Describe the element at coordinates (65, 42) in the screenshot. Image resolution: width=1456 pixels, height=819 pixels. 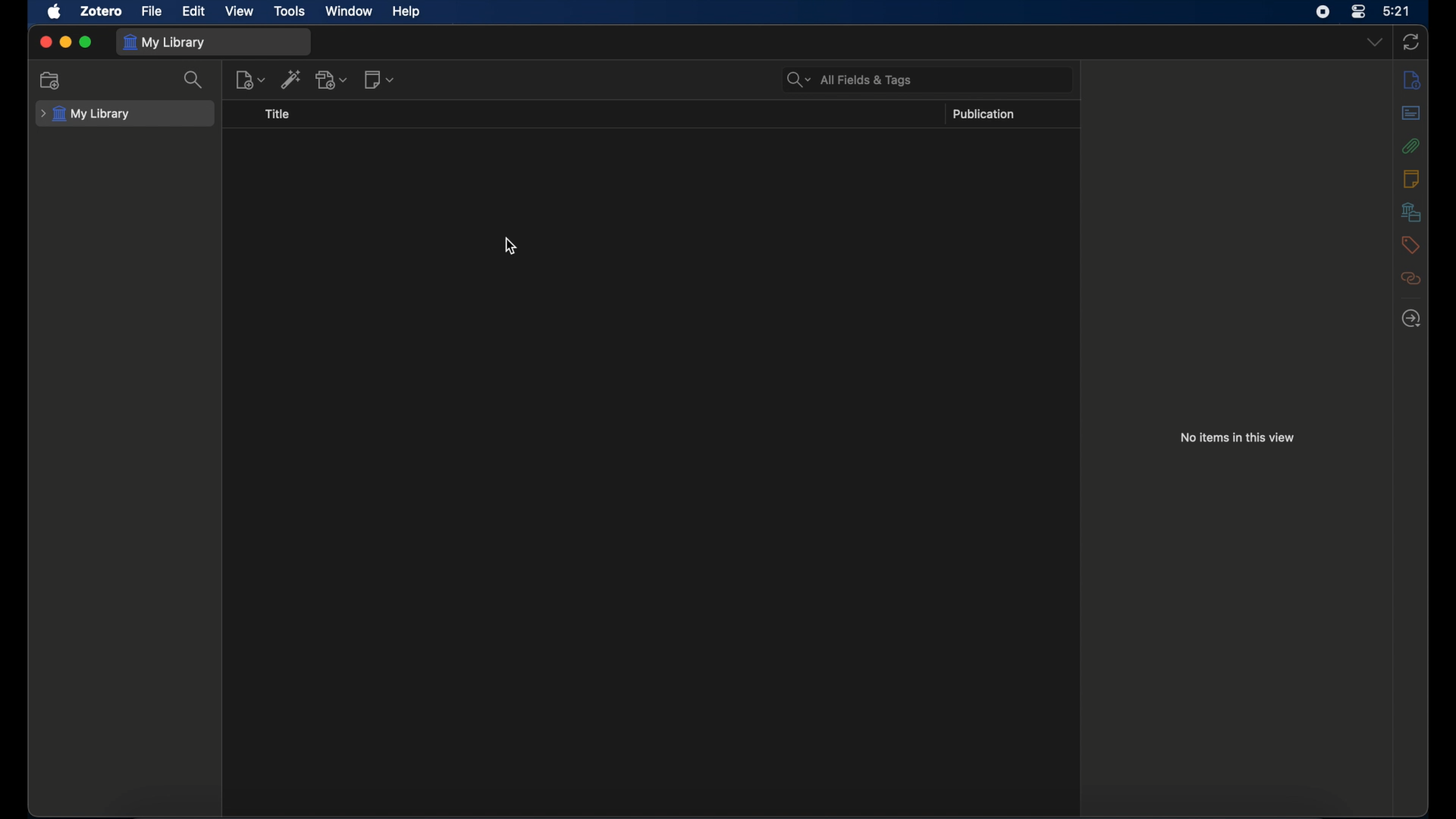
I see `minimize` at that location.